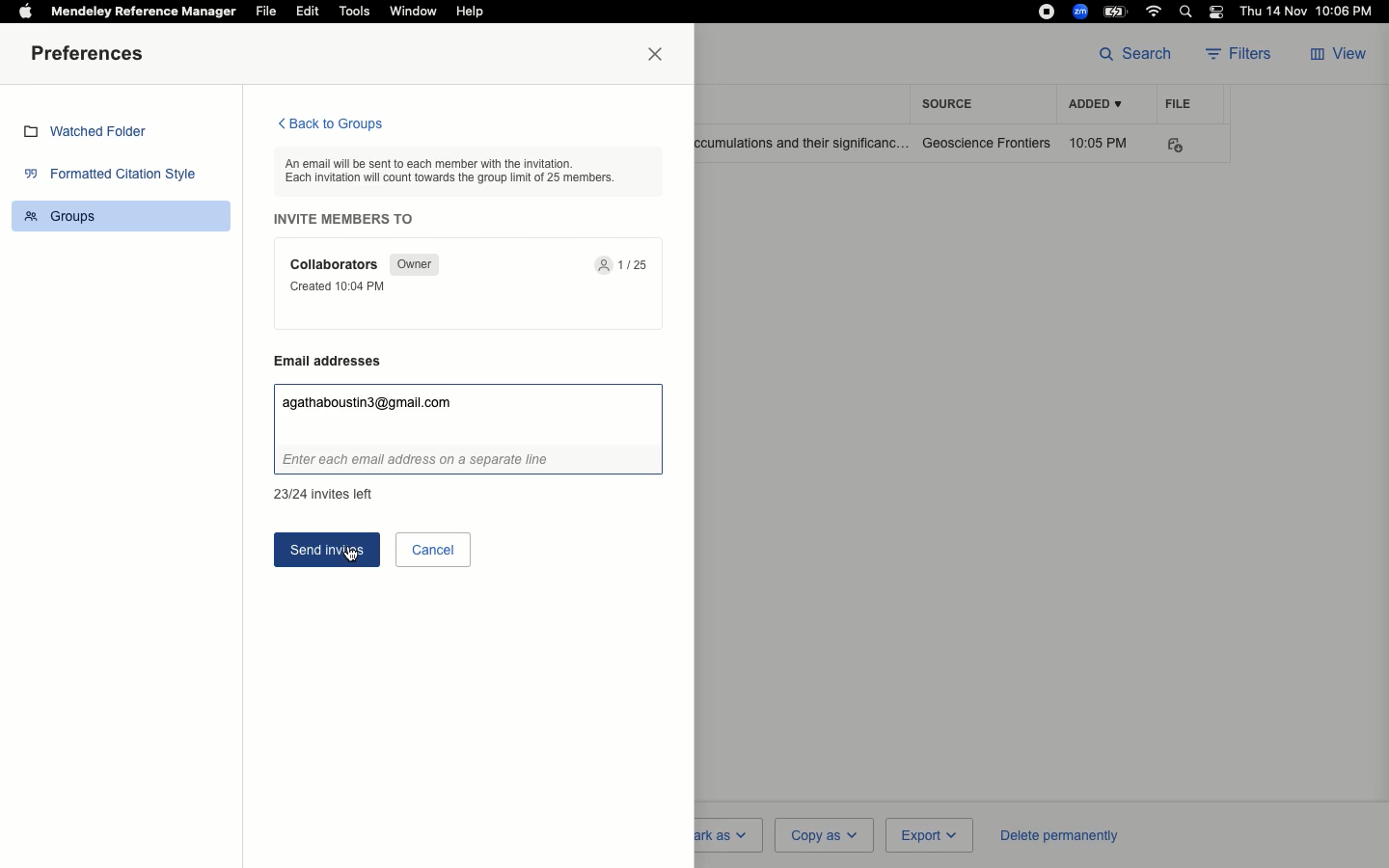 This screenshot has width=1389, height=868. Describe the element at coordinates (343, 286) in the screenshot. I see `Created` at that location.